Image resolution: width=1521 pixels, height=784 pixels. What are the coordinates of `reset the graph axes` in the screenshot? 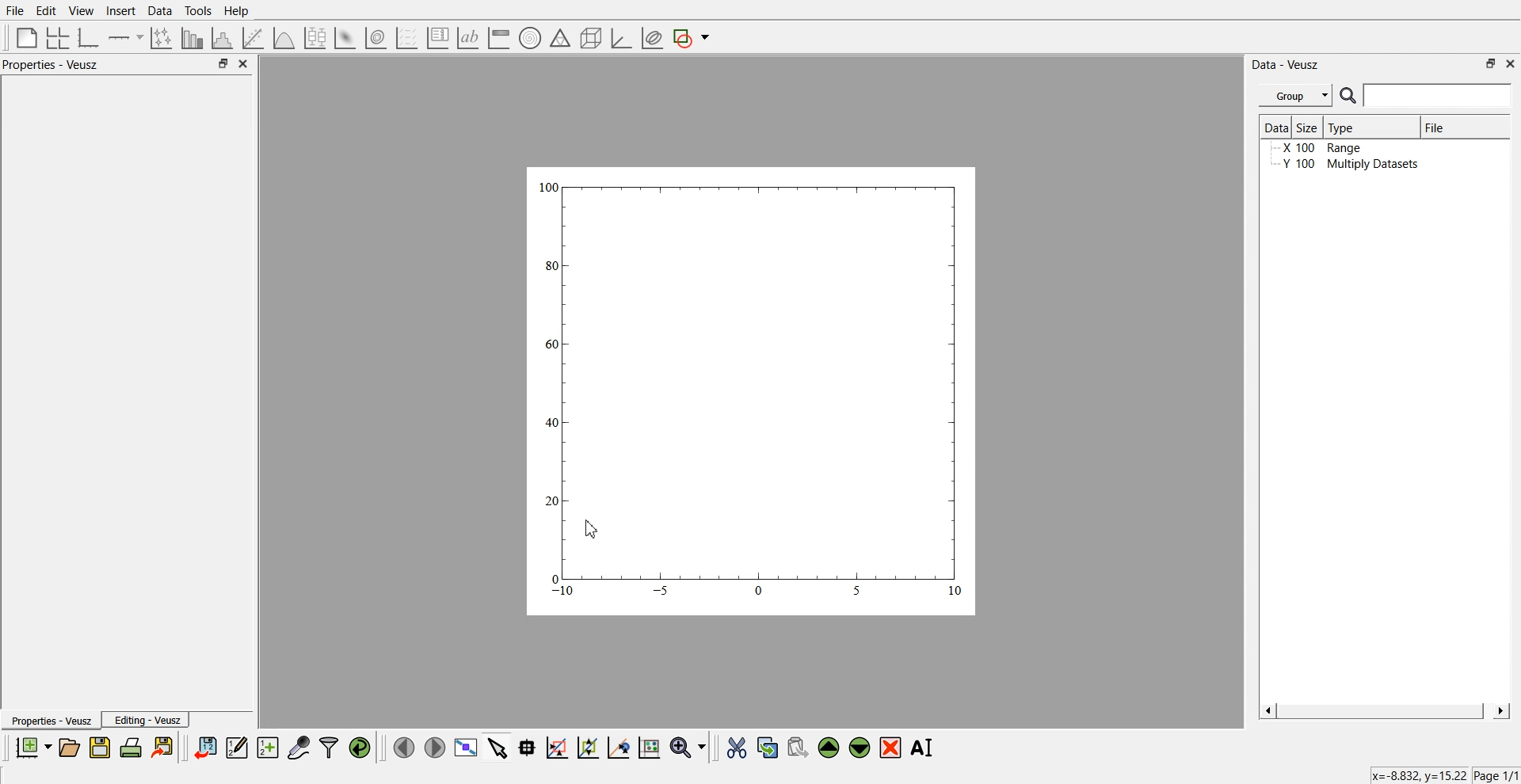 It's located at (649, 748).